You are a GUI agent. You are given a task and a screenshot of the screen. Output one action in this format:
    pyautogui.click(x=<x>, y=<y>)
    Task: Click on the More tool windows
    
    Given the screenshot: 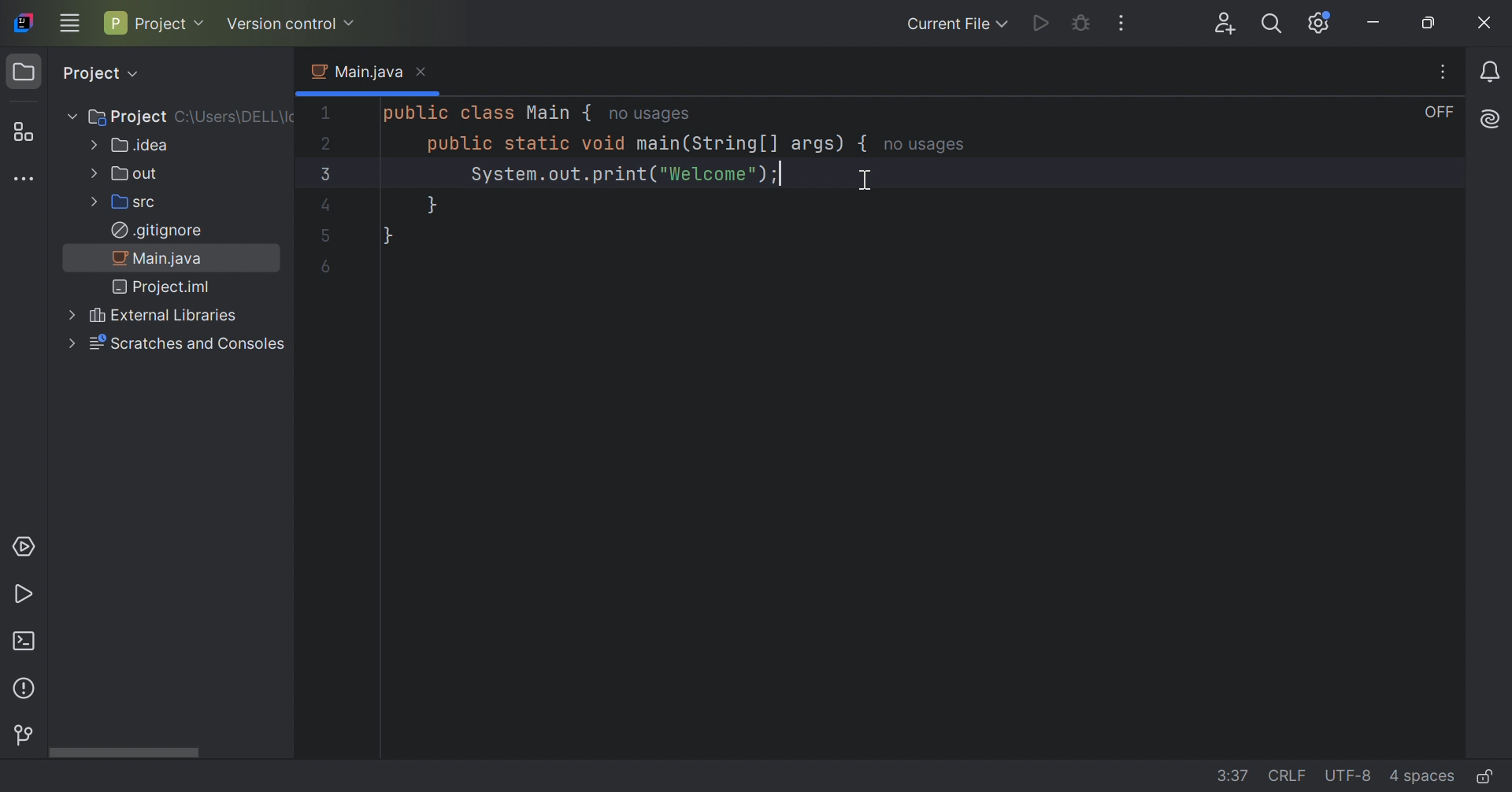 What is the action you would take?
    pyautogui.click(x=28, y=181)
    